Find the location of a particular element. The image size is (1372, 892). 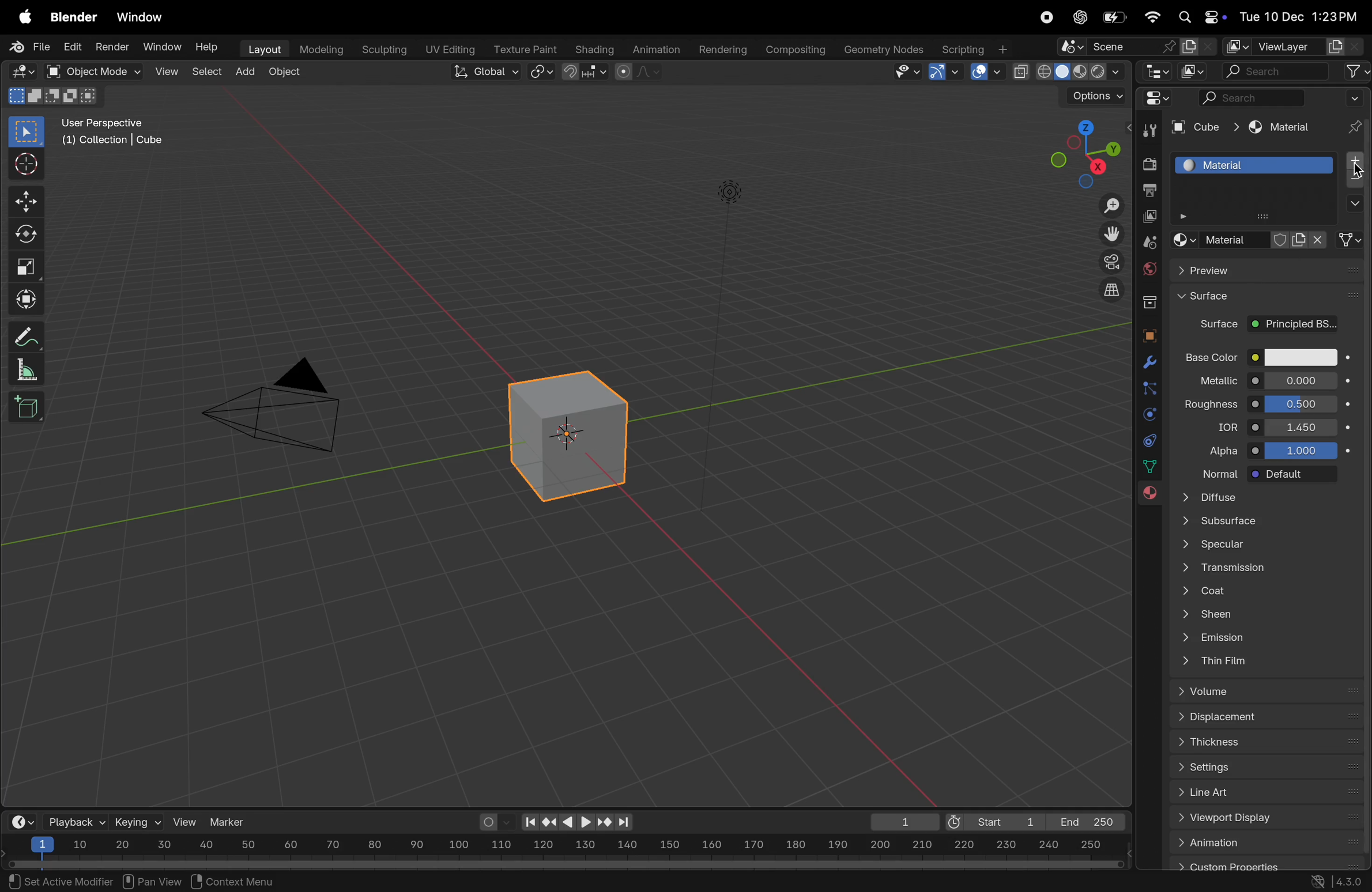

snap is located at coordinates (542, 73).